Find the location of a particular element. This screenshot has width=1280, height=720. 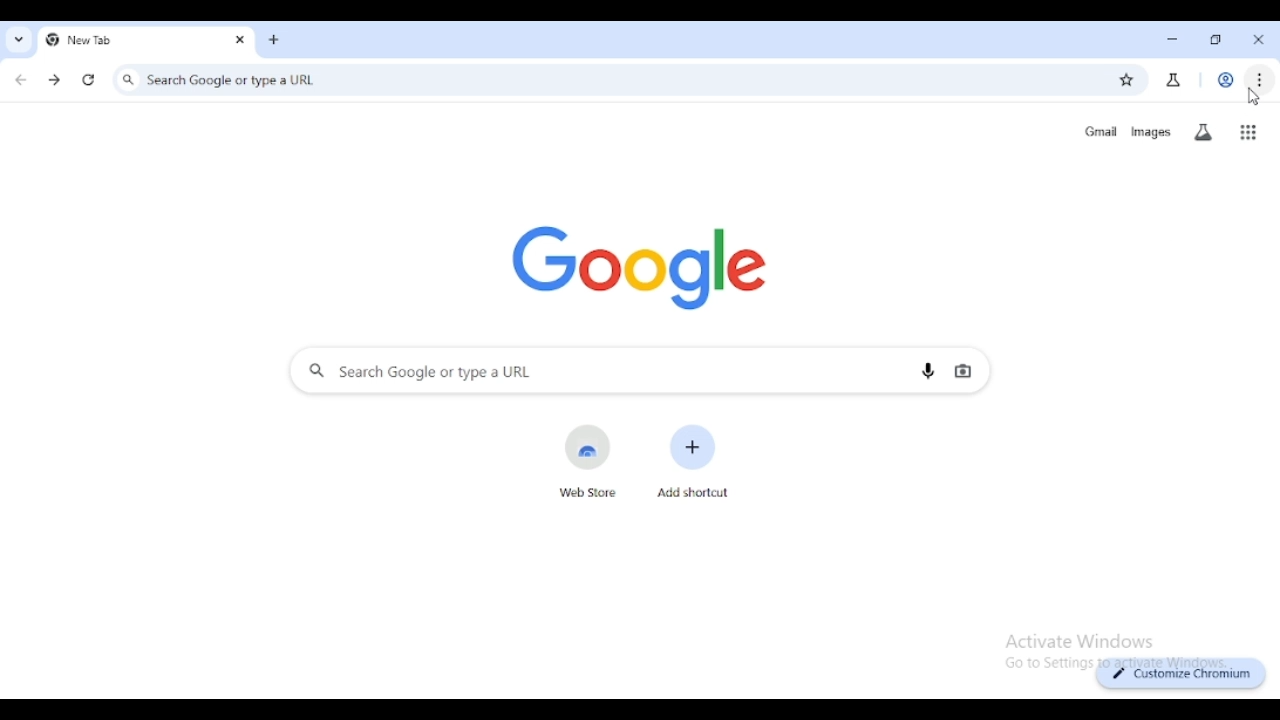

search labs is located at coordinates (1202, 132).